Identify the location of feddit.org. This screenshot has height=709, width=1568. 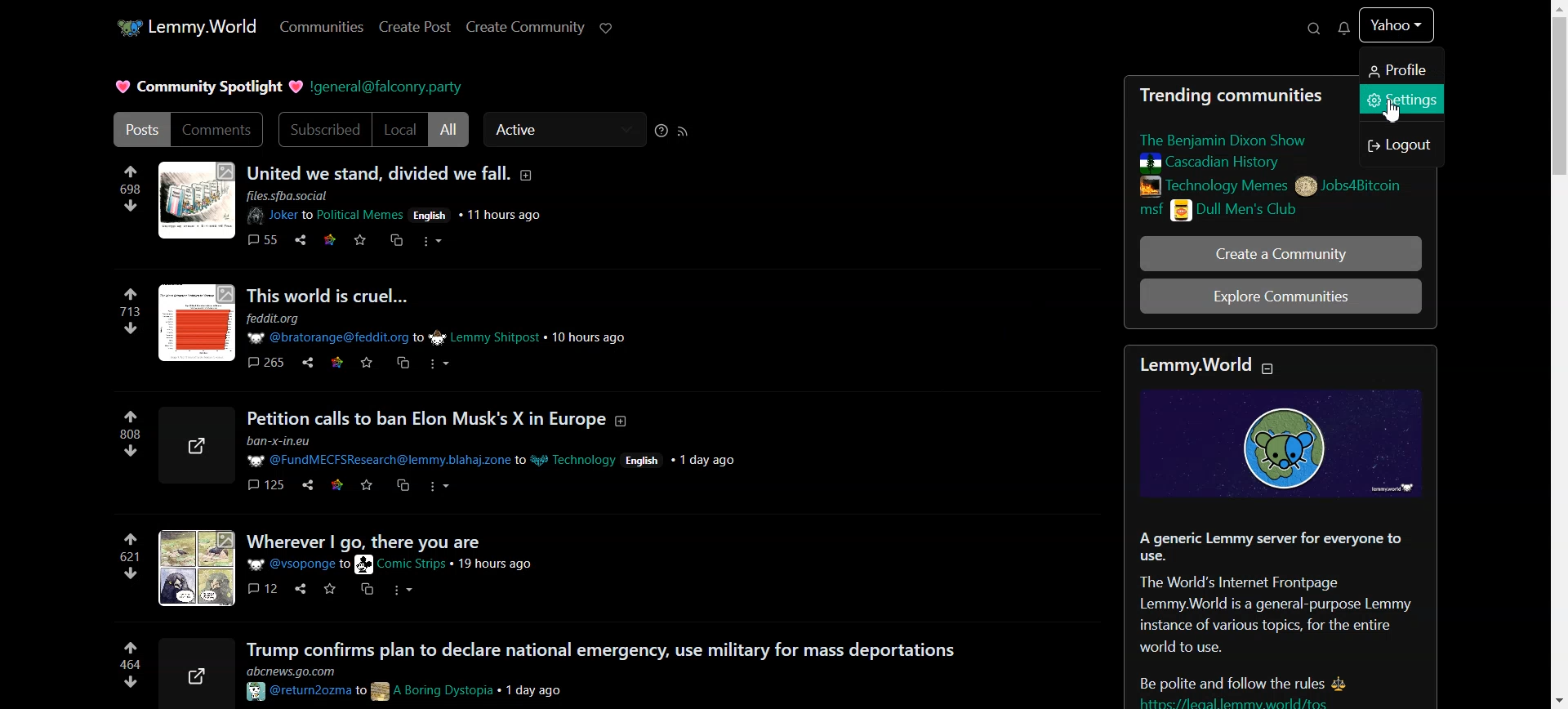
(278, 318).